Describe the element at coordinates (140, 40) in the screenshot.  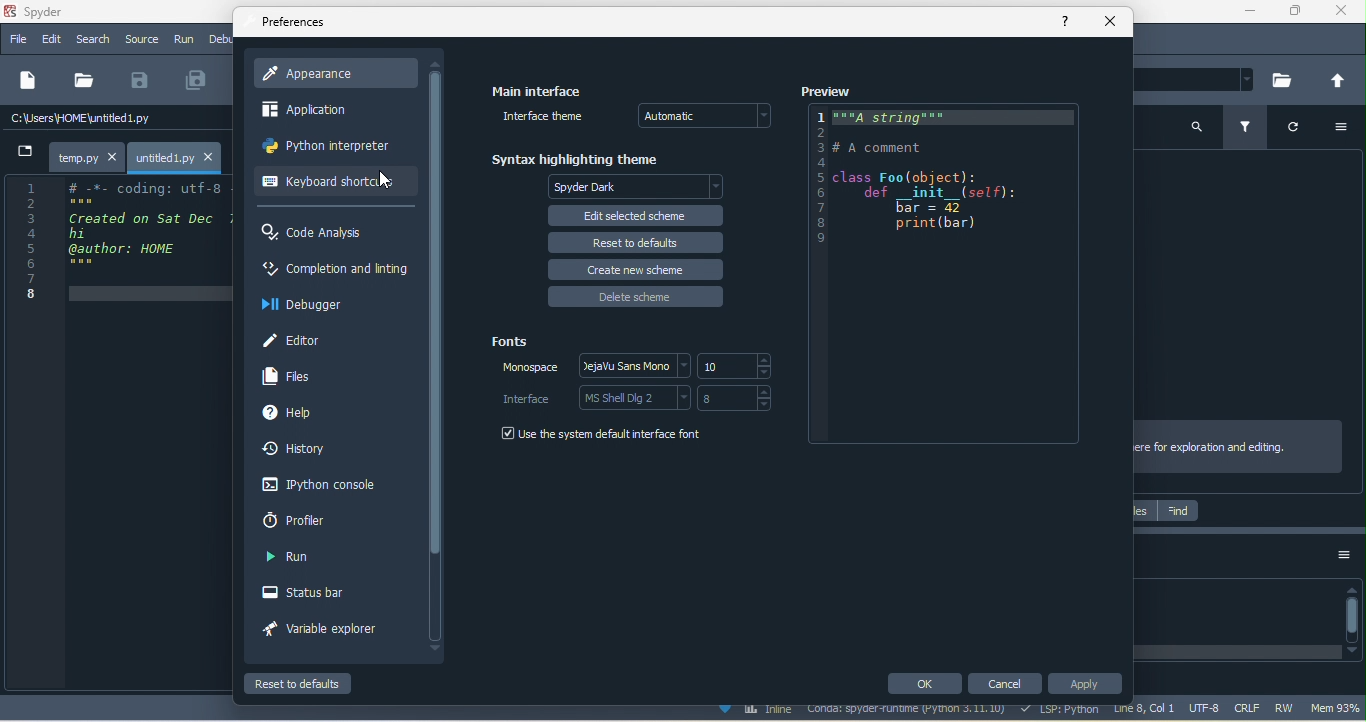
I see `source` at that location.